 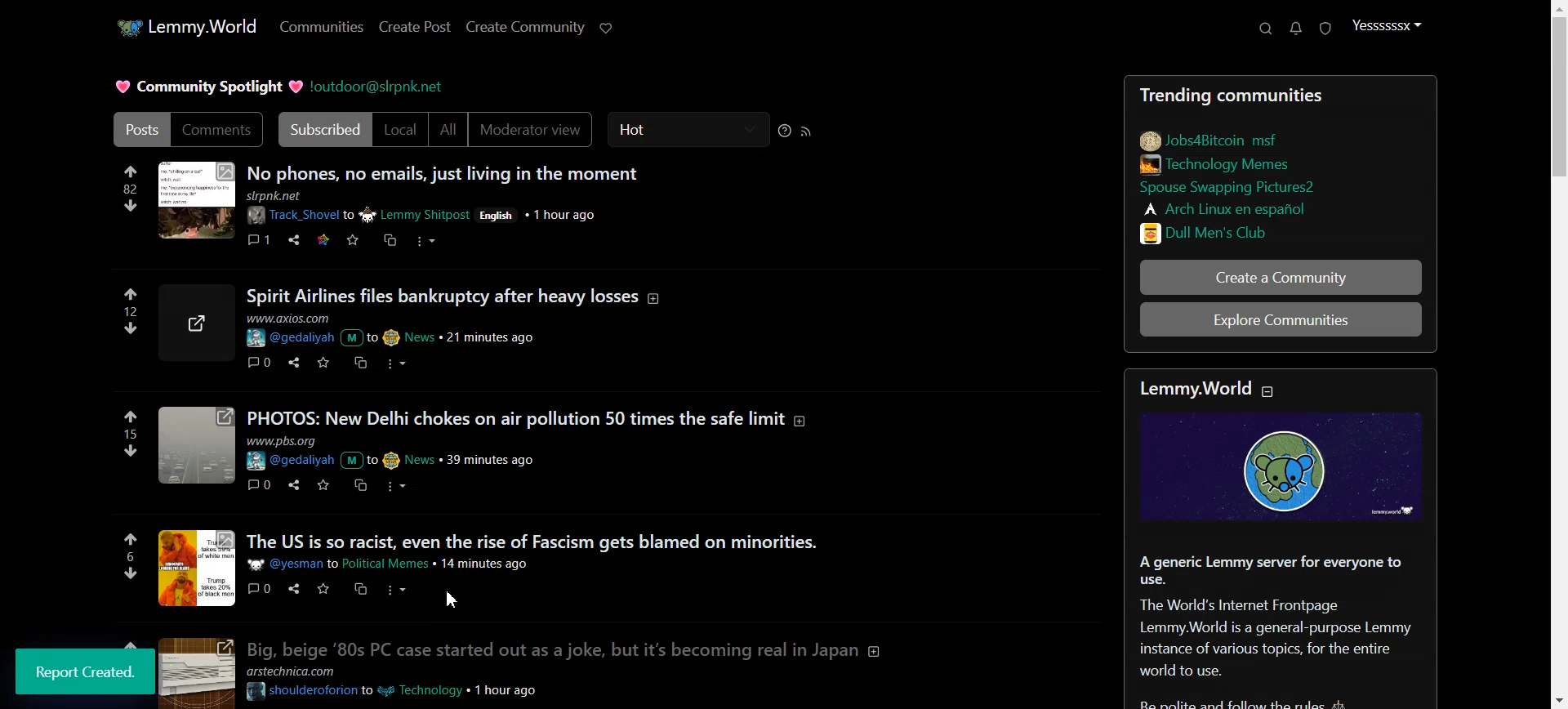 What do you see at coordinates (1558, 354) in the screenshot?
I see `Vertical scroll bar` at bounding box center [1558, 354].